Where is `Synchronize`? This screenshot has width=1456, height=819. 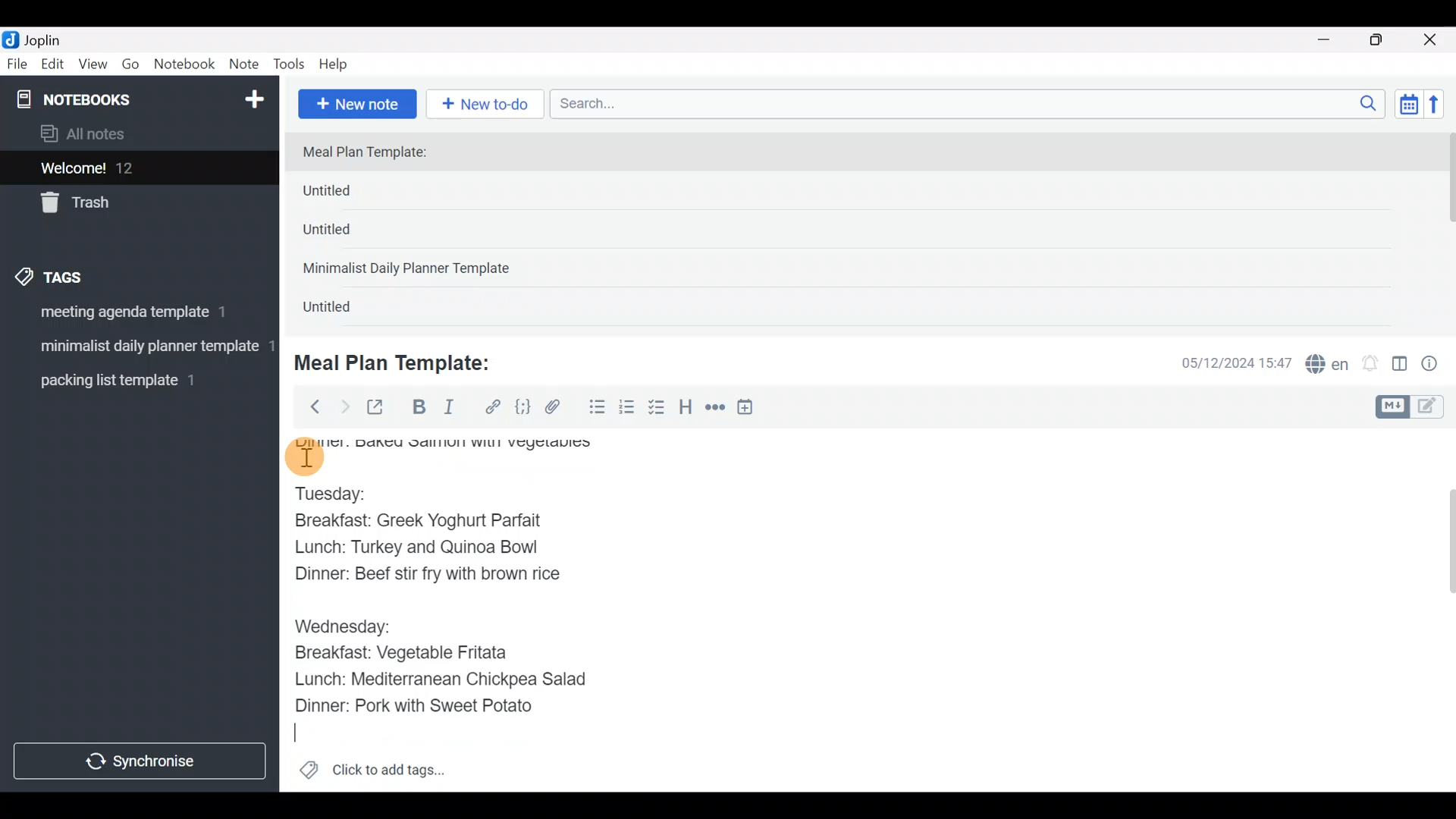 Synchronize is located at coordinates (142, 761).